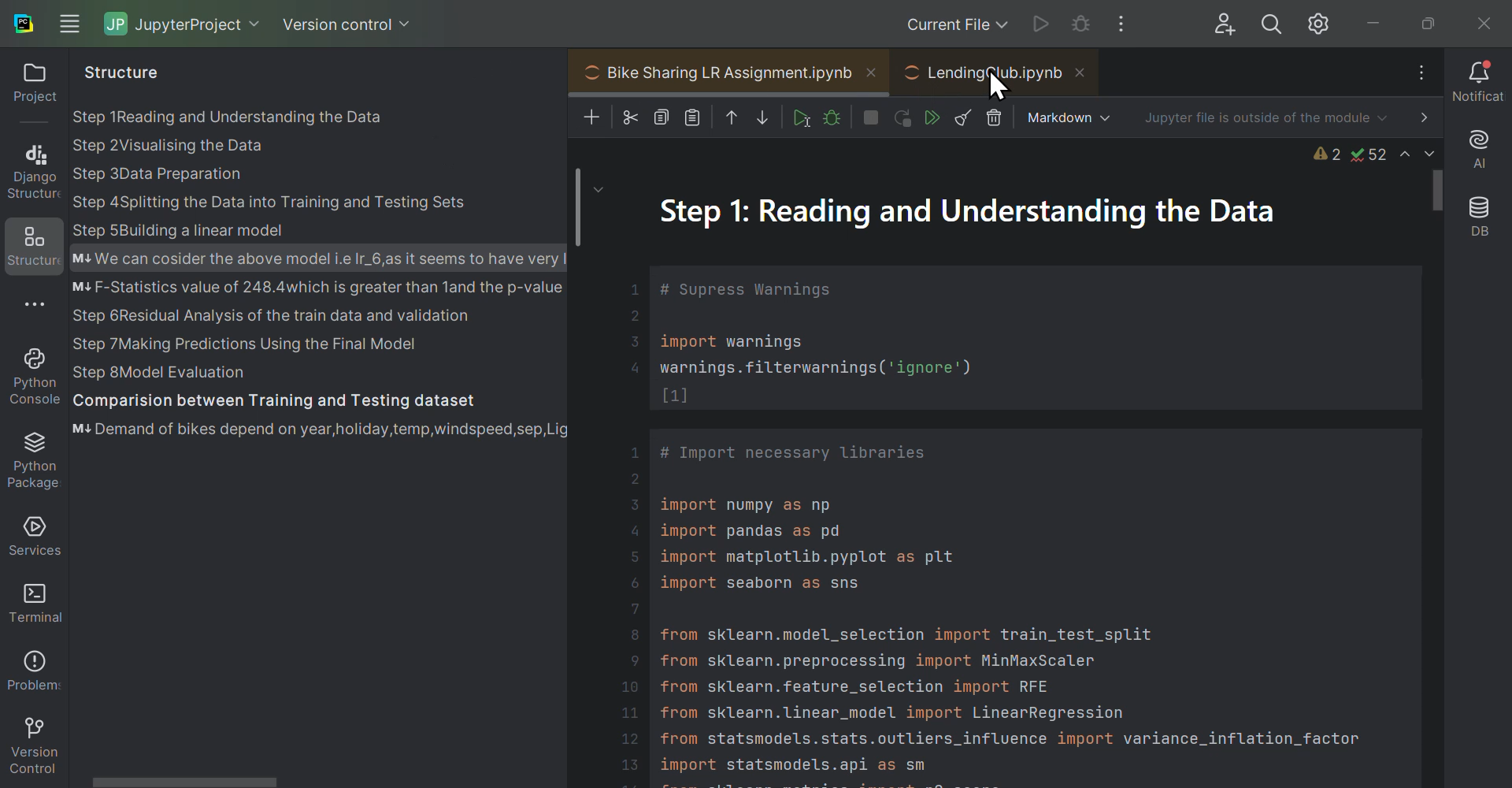  What do you see at coordinates (766, 115) in the screenshot?
I see `Move down` at bounding box center [766, 115].